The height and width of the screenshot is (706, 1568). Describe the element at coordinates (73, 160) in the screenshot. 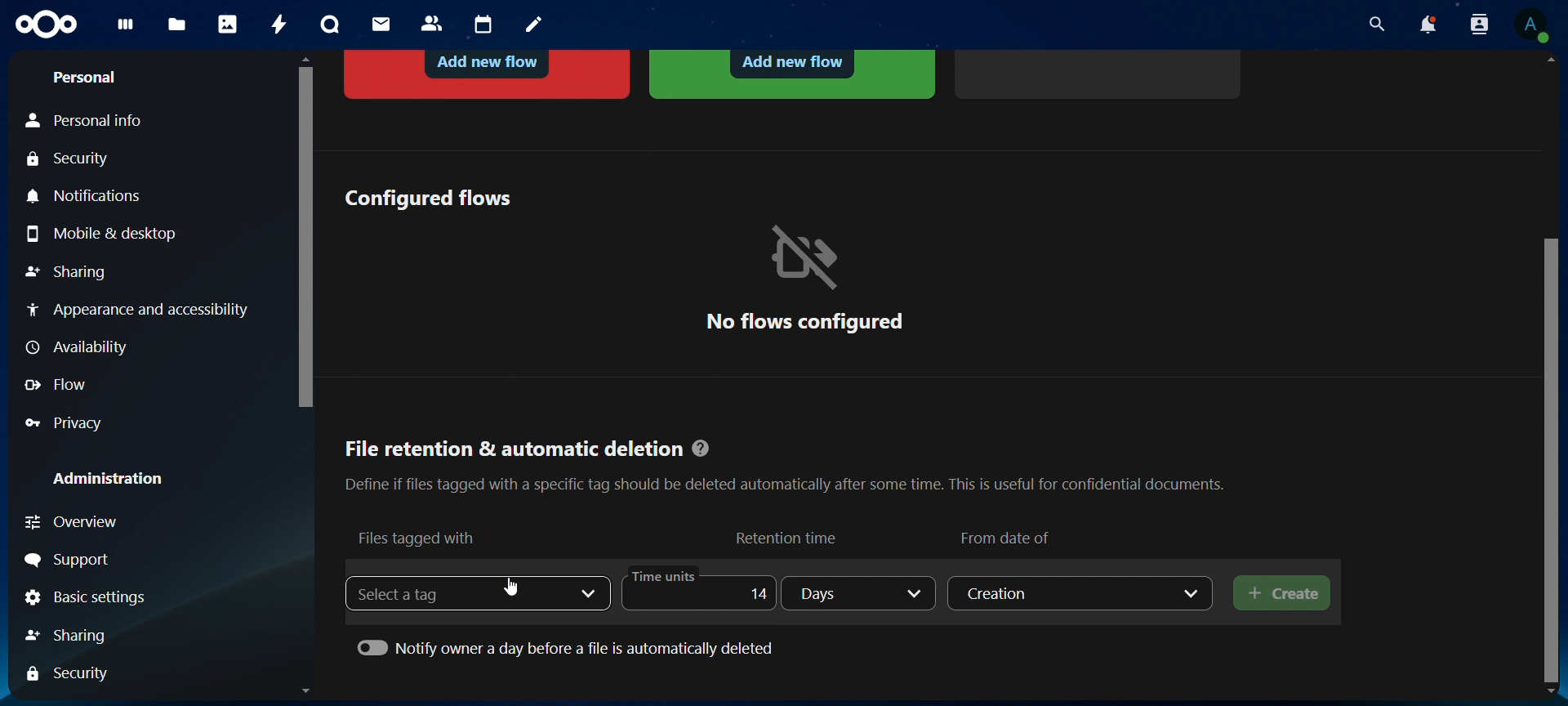

I see `security` at that location.